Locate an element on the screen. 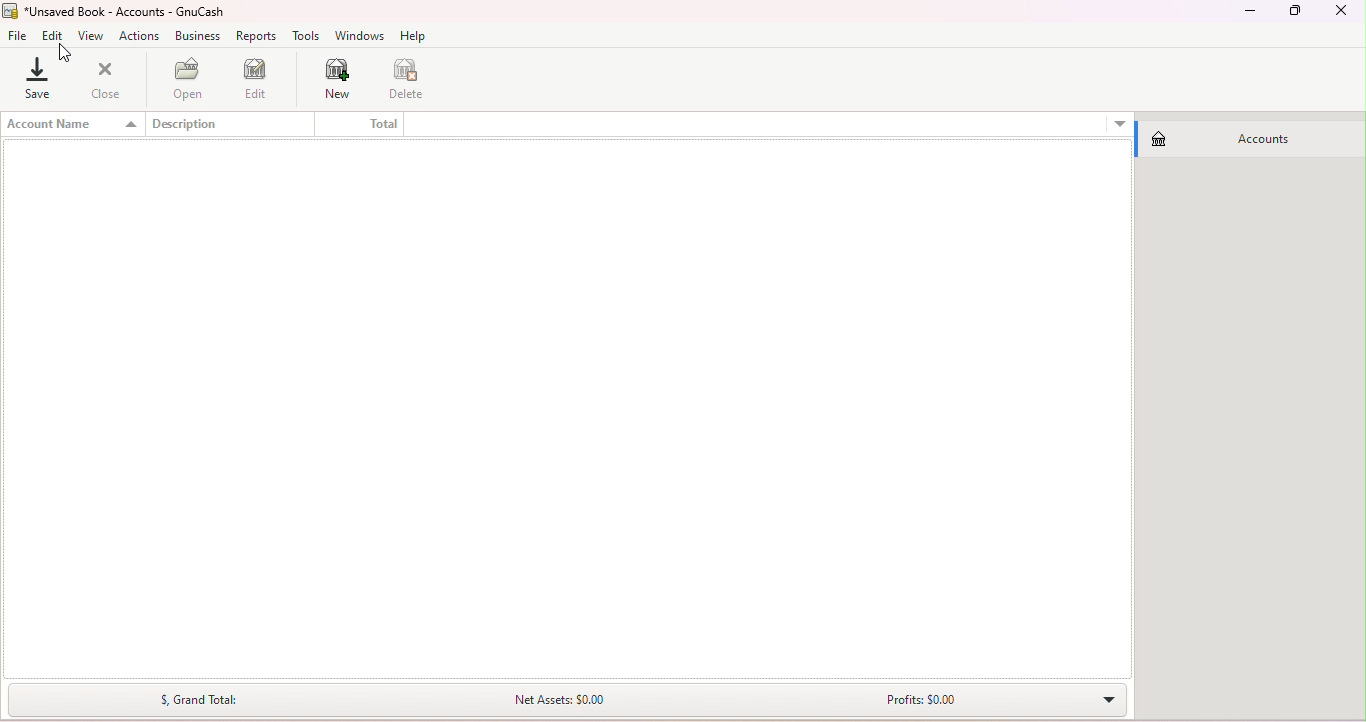 The height and width of the screenshot is (722, 1366). Edit is located at coordinates (52, 35).